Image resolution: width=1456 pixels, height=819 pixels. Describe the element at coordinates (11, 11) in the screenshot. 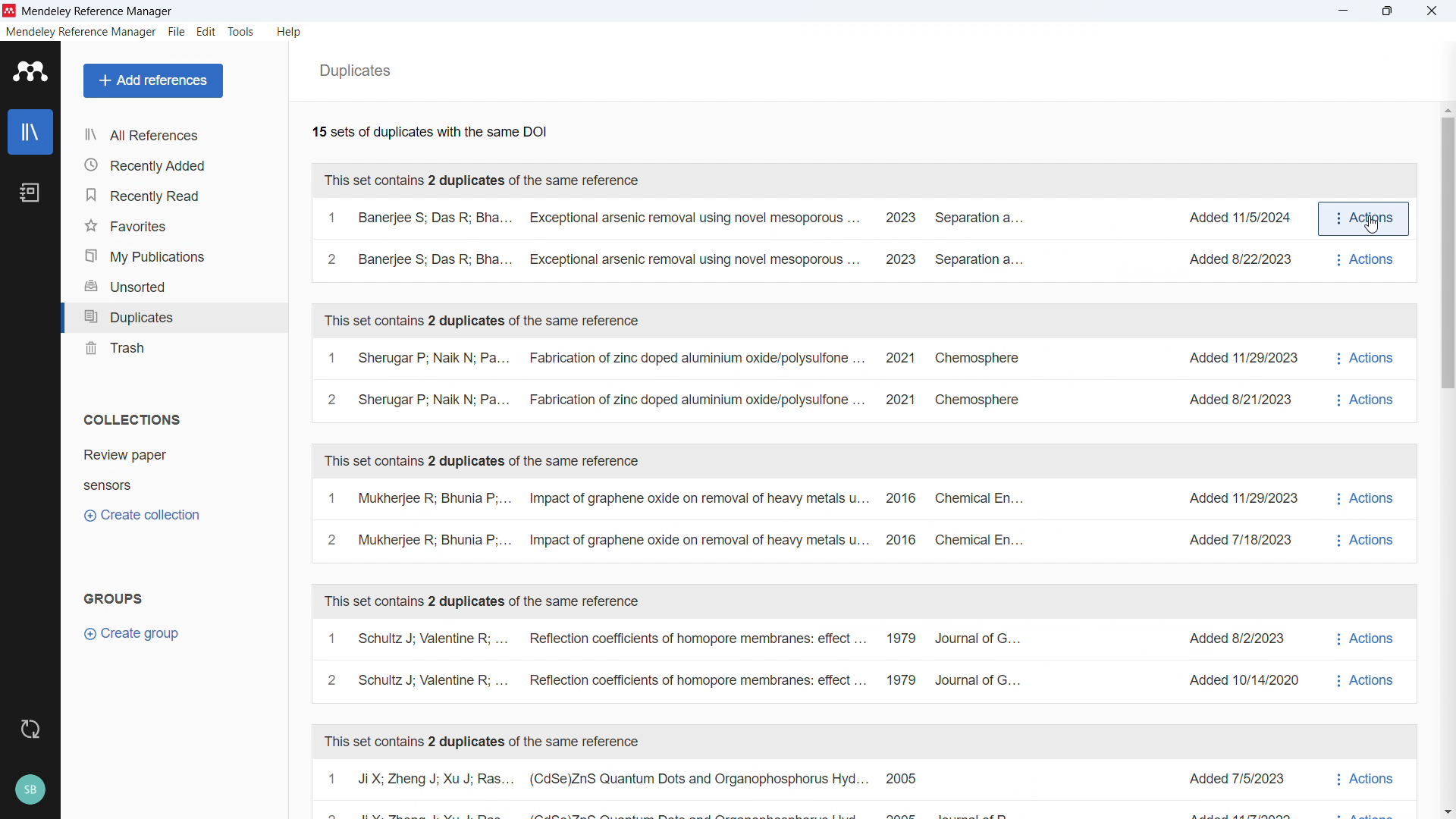

I see `Logo ` at that location.